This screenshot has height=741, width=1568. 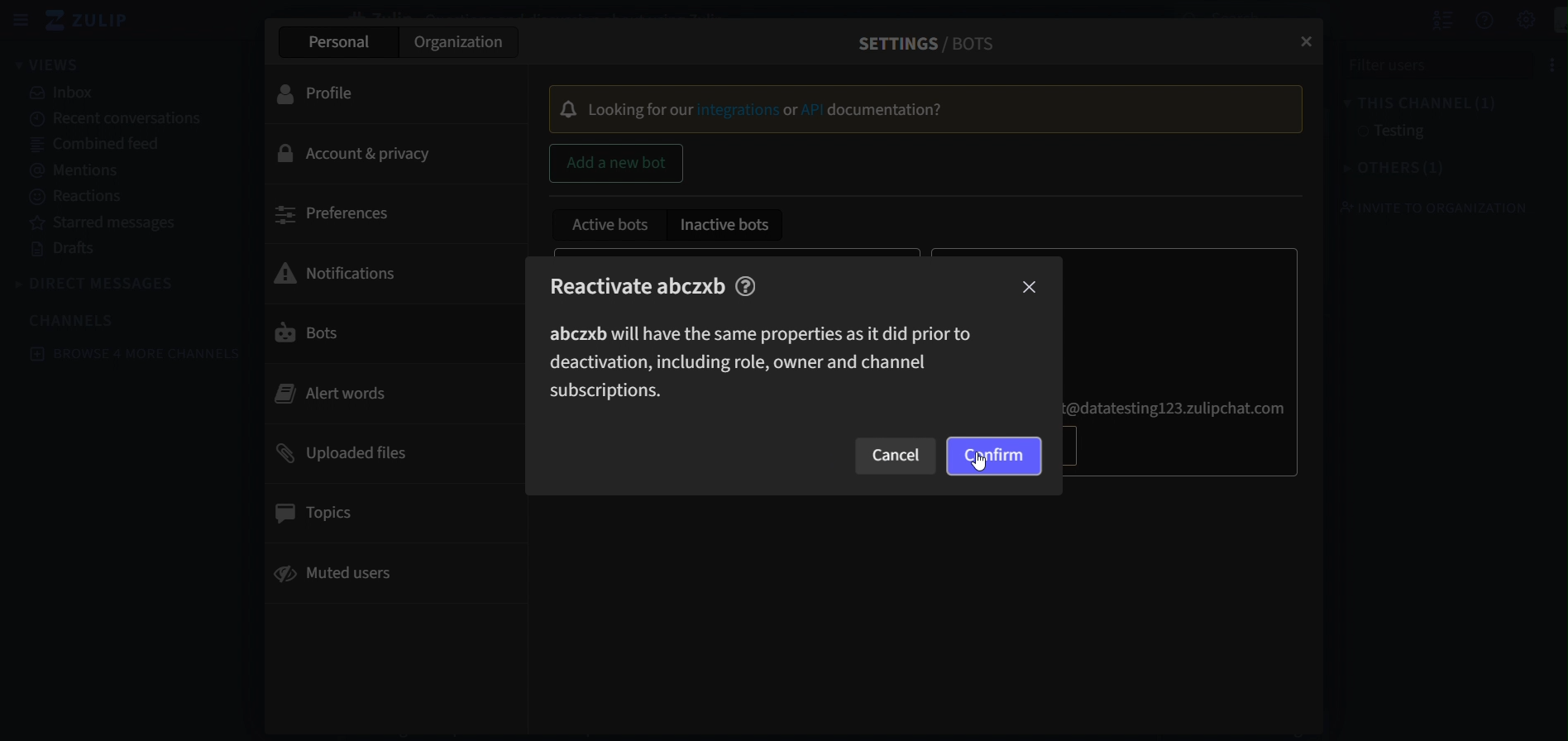 What do you see at coordinates (739, 109) in the screenshot?
I see `Integrtions` at bounding box center [739, 109].